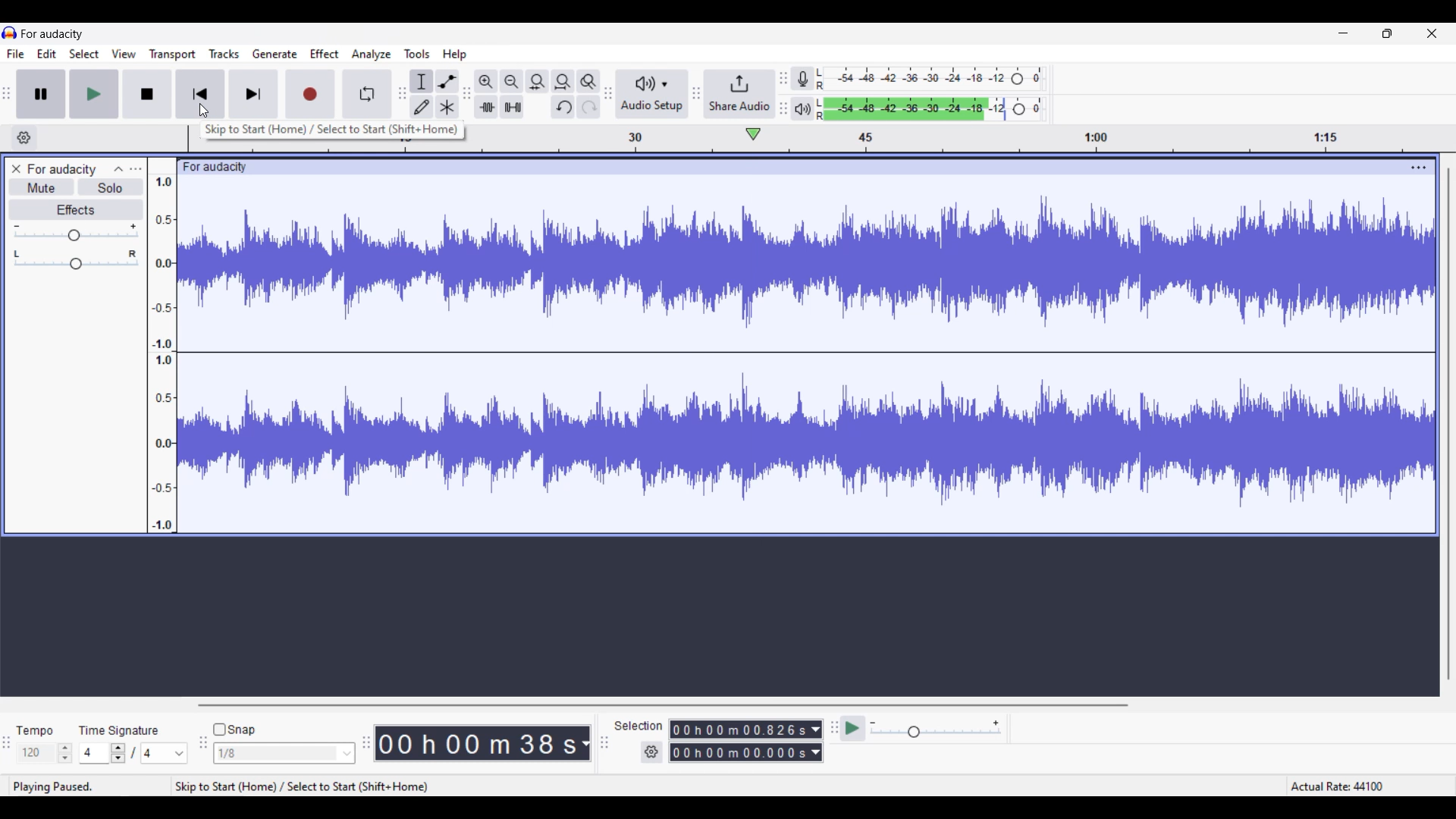 The image size is (1456, 819). What do you see at coordinates (663, 705) in the screenshot?
I see `Horizontal slide bar` at bounding box center [663, 705].